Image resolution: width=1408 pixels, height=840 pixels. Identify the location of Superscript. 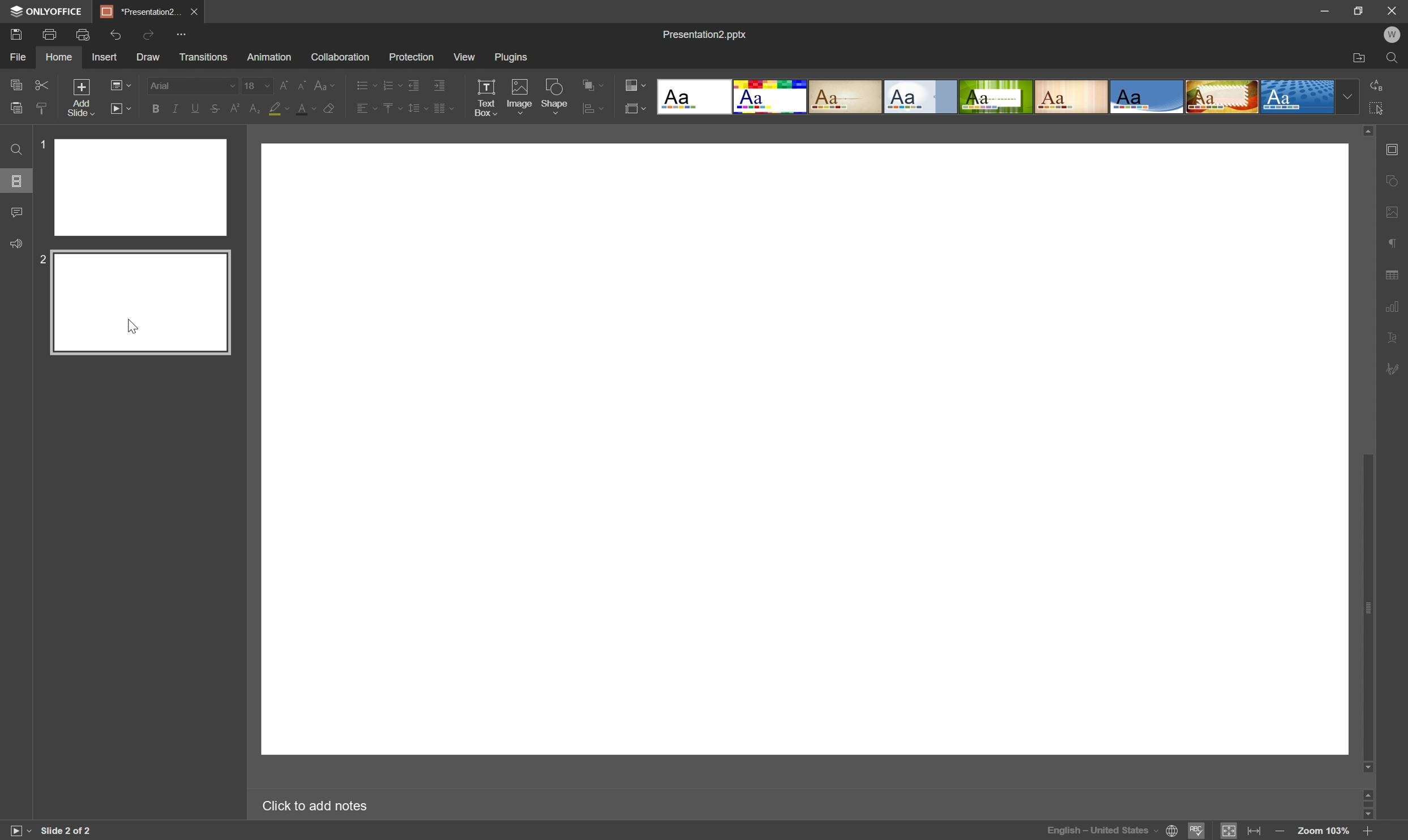
(234, 109).